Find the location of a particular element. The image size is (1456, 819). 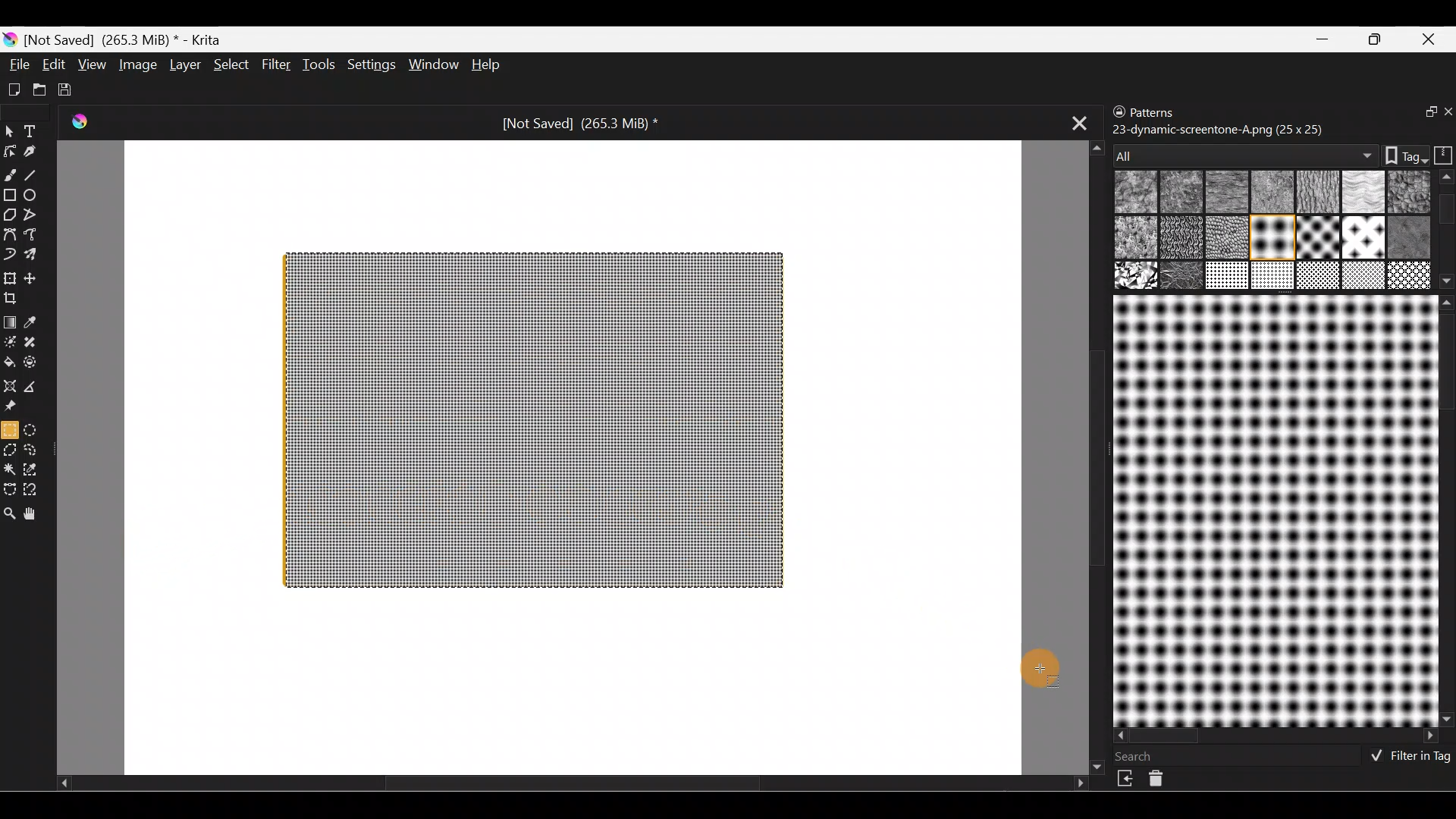

File is located at coordinates (17, 64).